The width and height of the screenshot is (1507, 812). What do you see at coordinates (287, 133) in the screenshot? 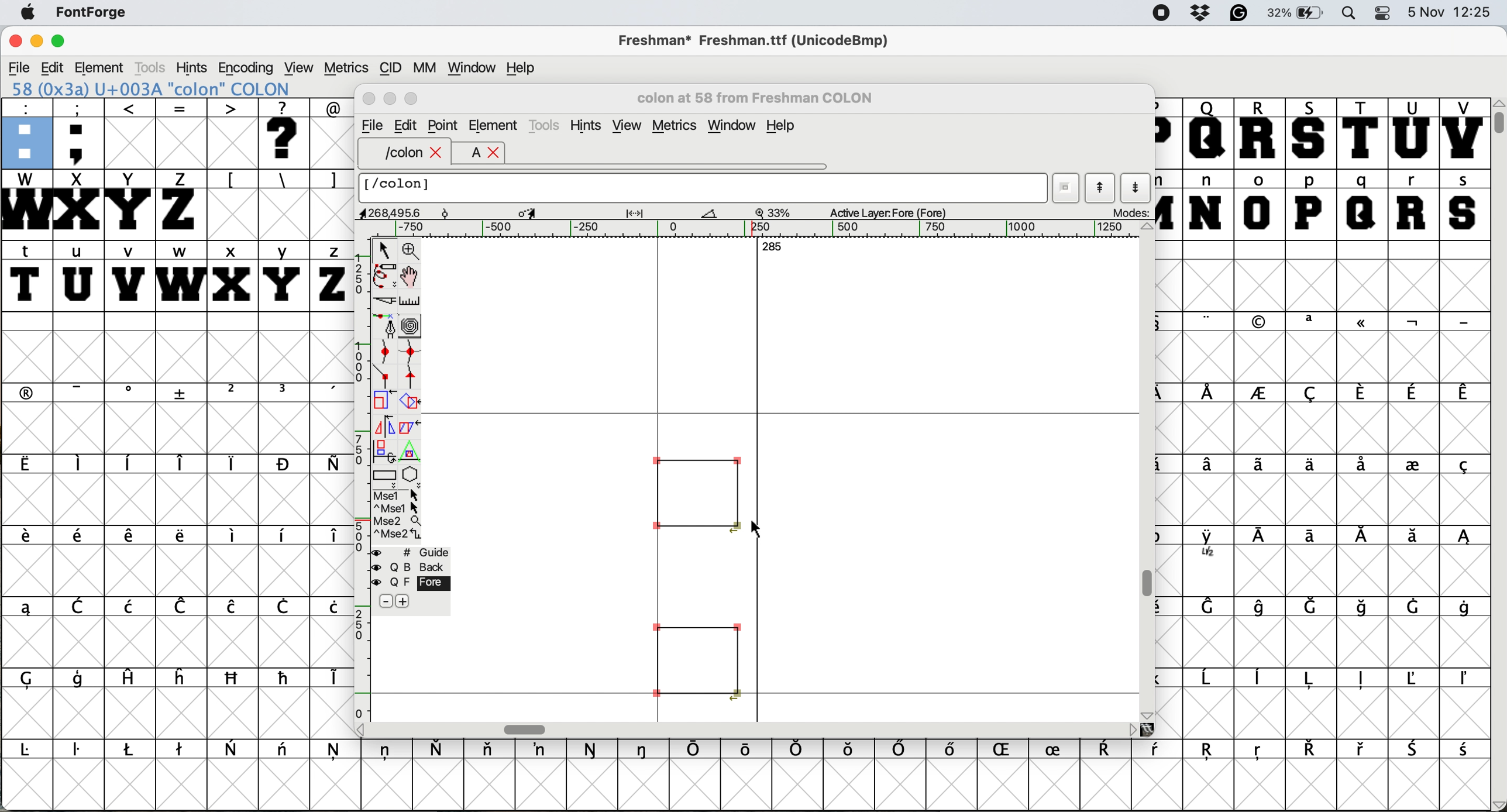
I see `?` at bounding box center [287, 133].